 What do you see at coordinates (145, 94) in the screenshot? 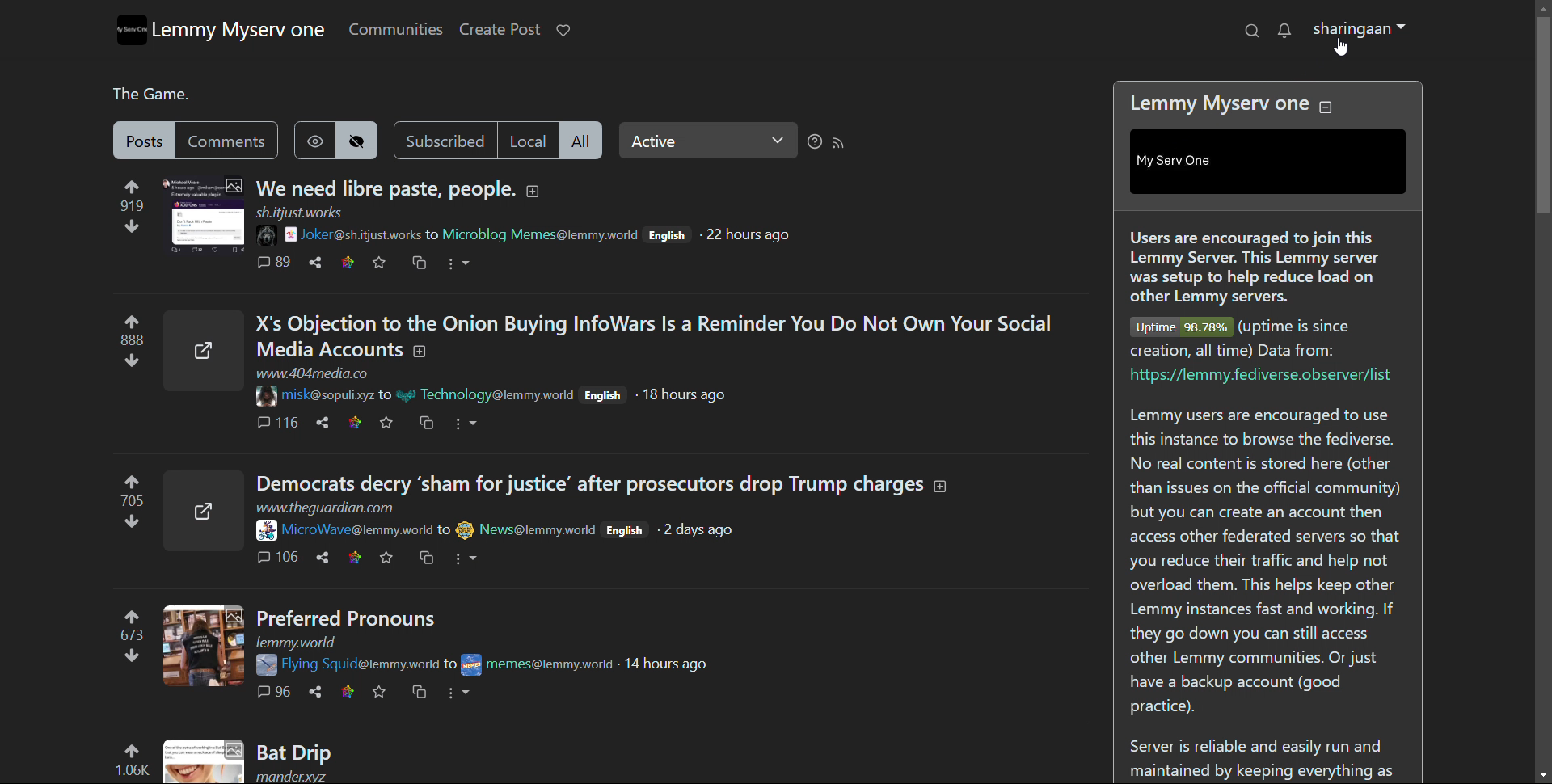
I see `The Game.` at bounding box center [145, 94].